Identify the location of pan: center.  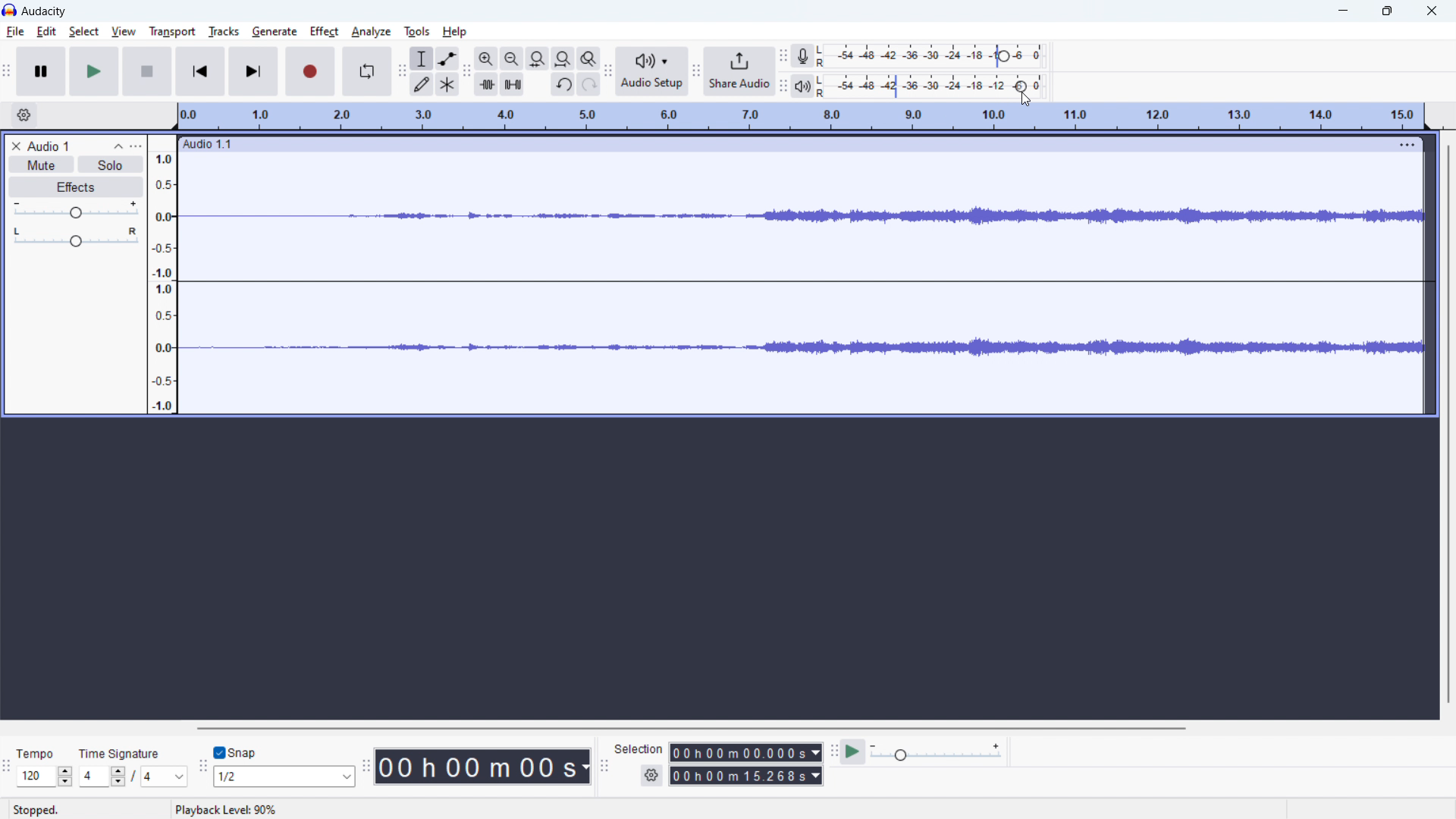
(75, 237).